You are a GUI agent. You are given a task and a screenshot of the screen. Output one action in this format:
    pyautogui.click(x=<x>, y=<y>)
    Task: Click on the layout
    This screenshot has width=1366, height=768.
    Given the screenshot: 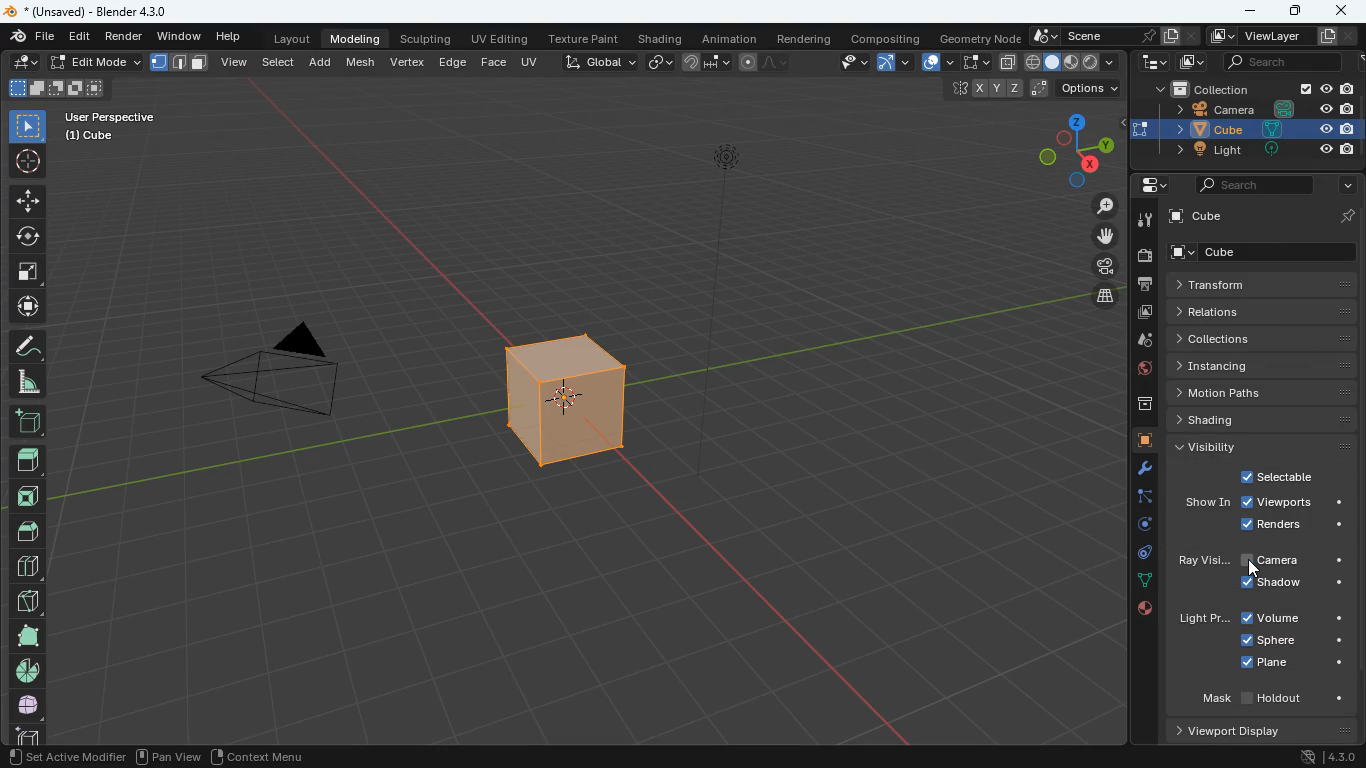 What is the action you would take?
    pyautogui.click(x=1072, y=64)
    